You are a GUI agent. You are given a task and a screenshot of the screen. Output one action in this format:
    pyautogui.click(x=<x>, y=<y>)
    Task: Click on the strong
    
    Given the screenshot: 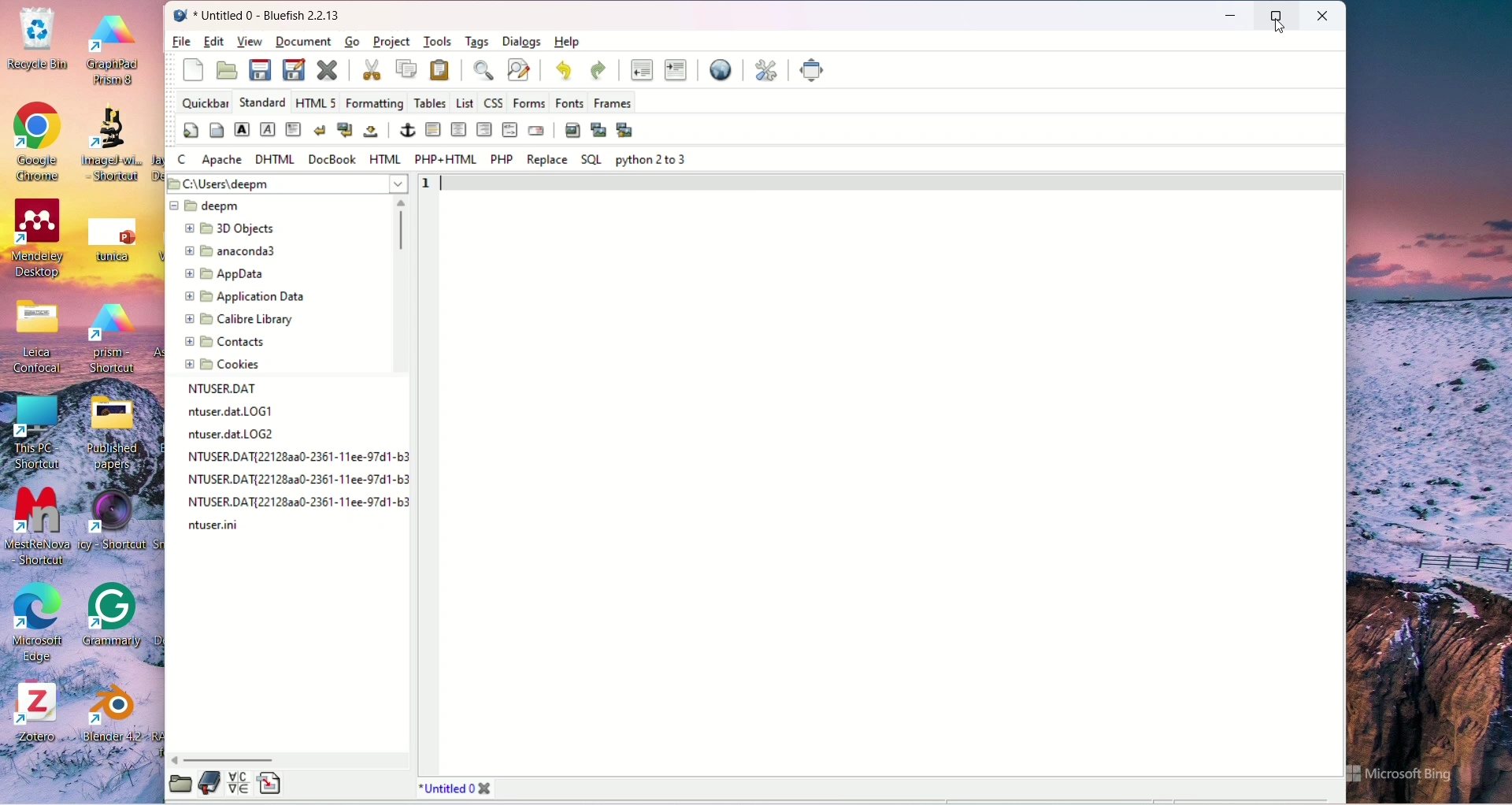 What is the action you would take?
    pyautogui.click(x=241, y=128)
    